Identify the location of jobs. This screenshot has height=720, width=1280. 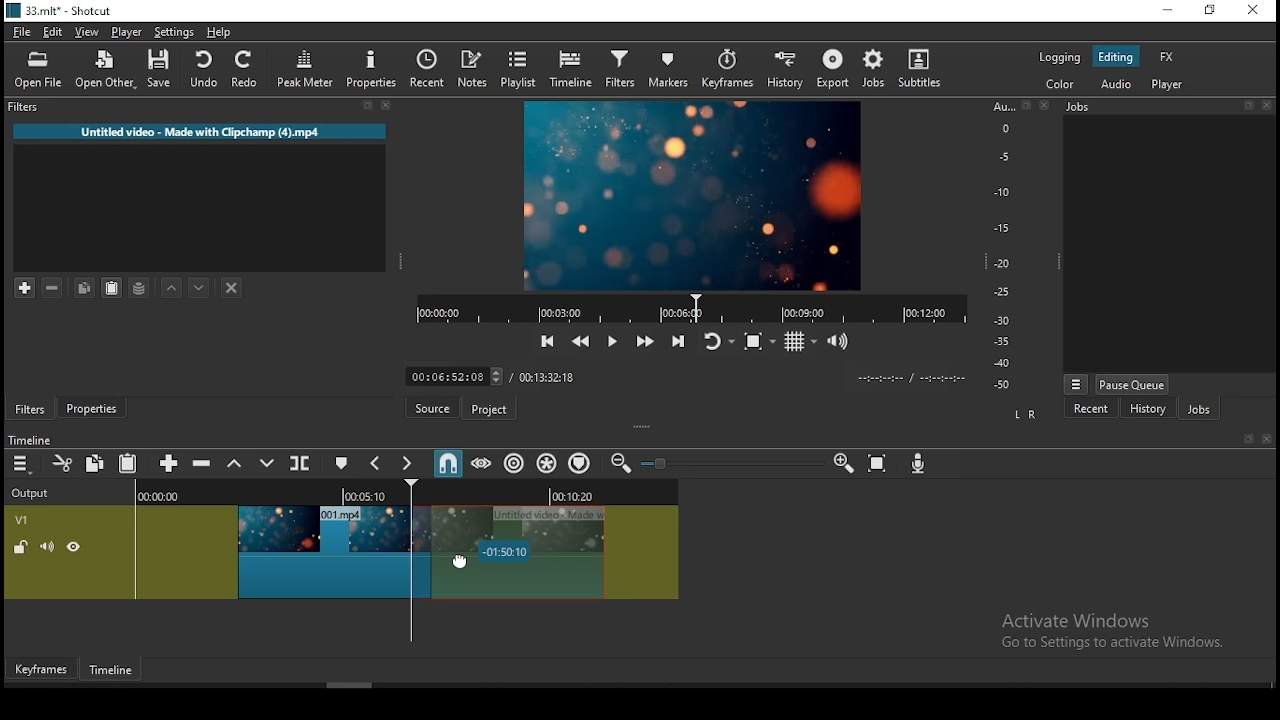
(1196, 406).